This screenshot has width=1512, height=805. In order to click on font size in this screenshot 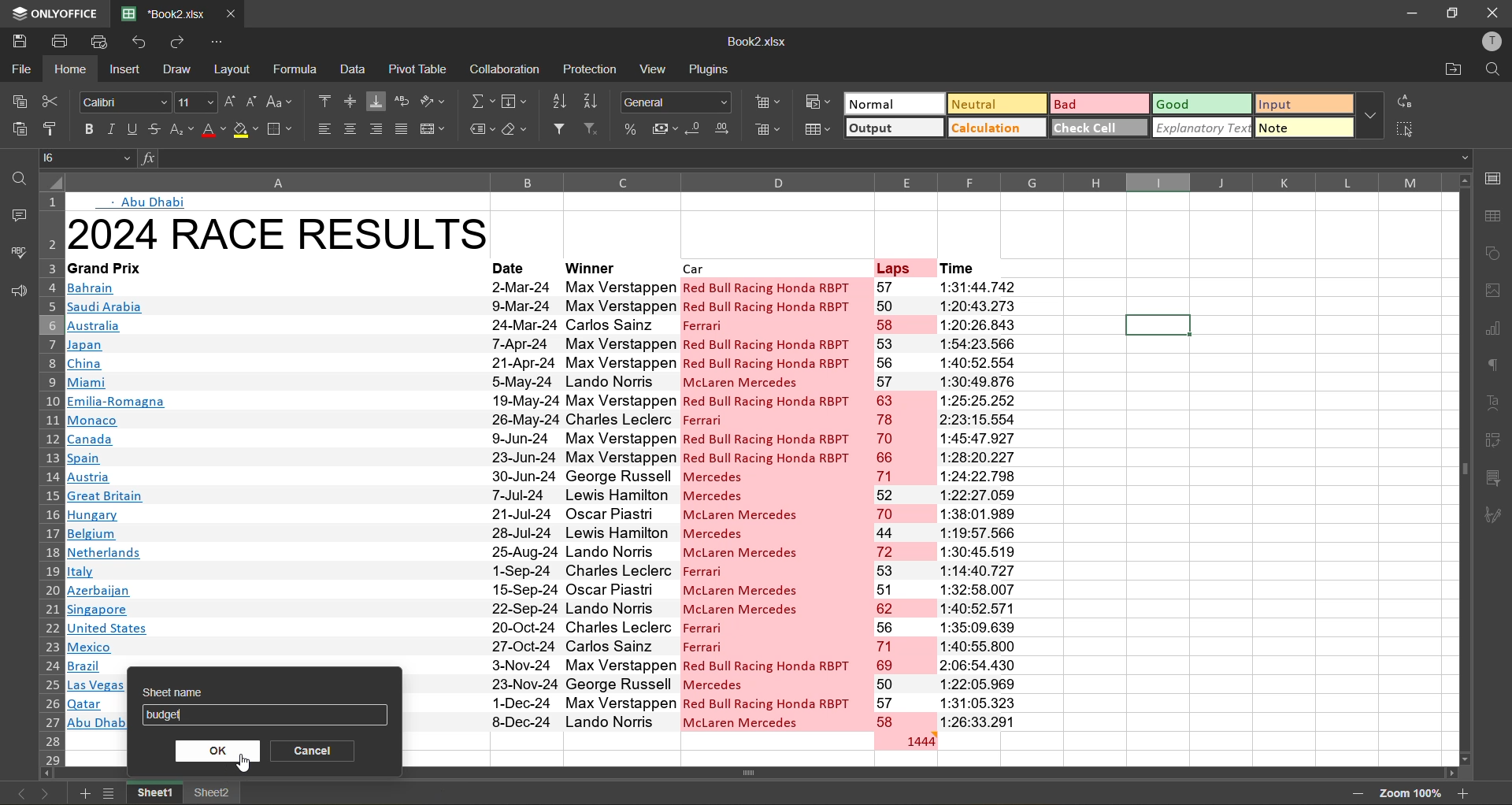, I will do `click(197, 101)`.